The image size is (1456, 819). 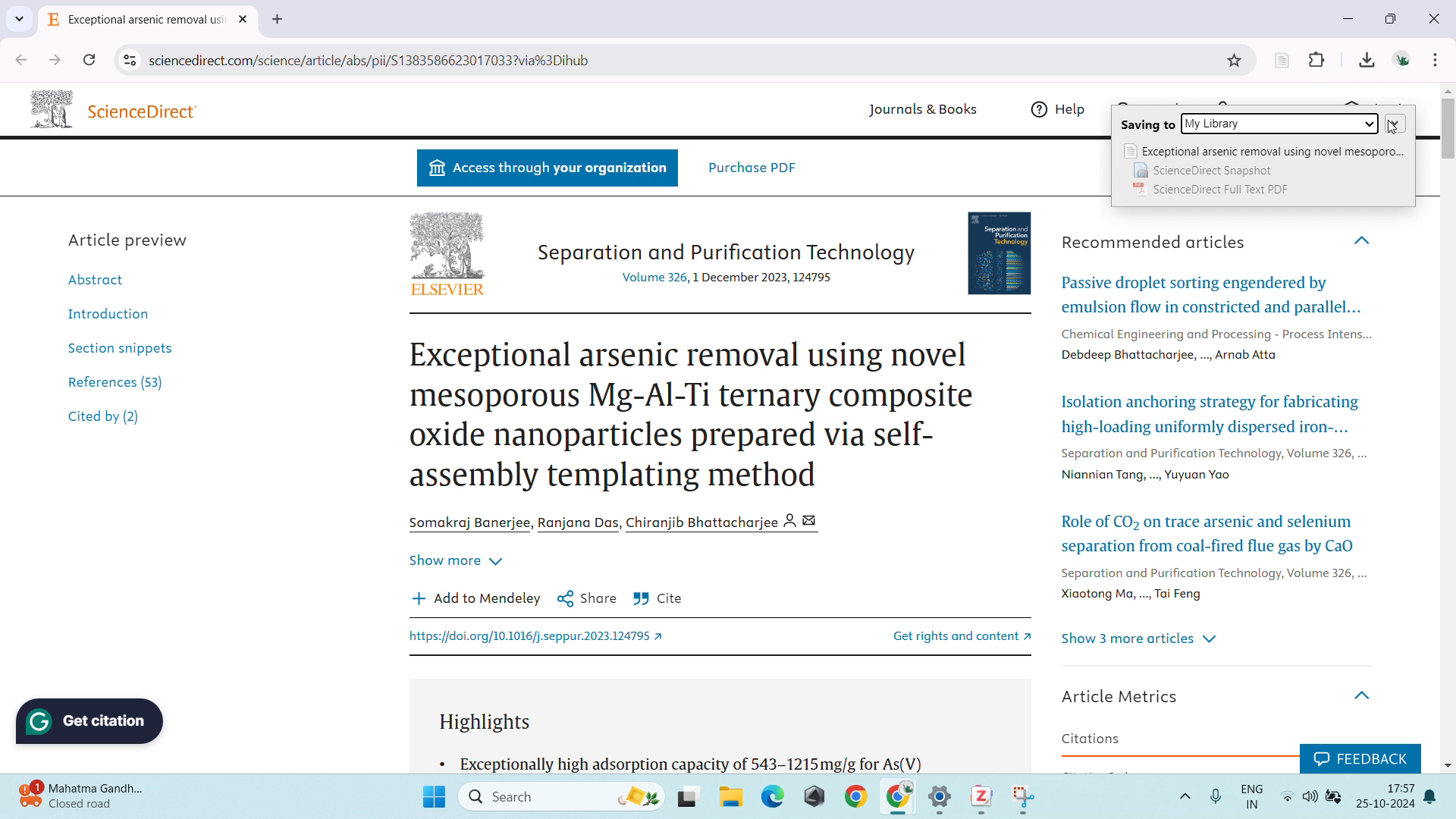 I want to click on Share, so click(x=587, y=598).